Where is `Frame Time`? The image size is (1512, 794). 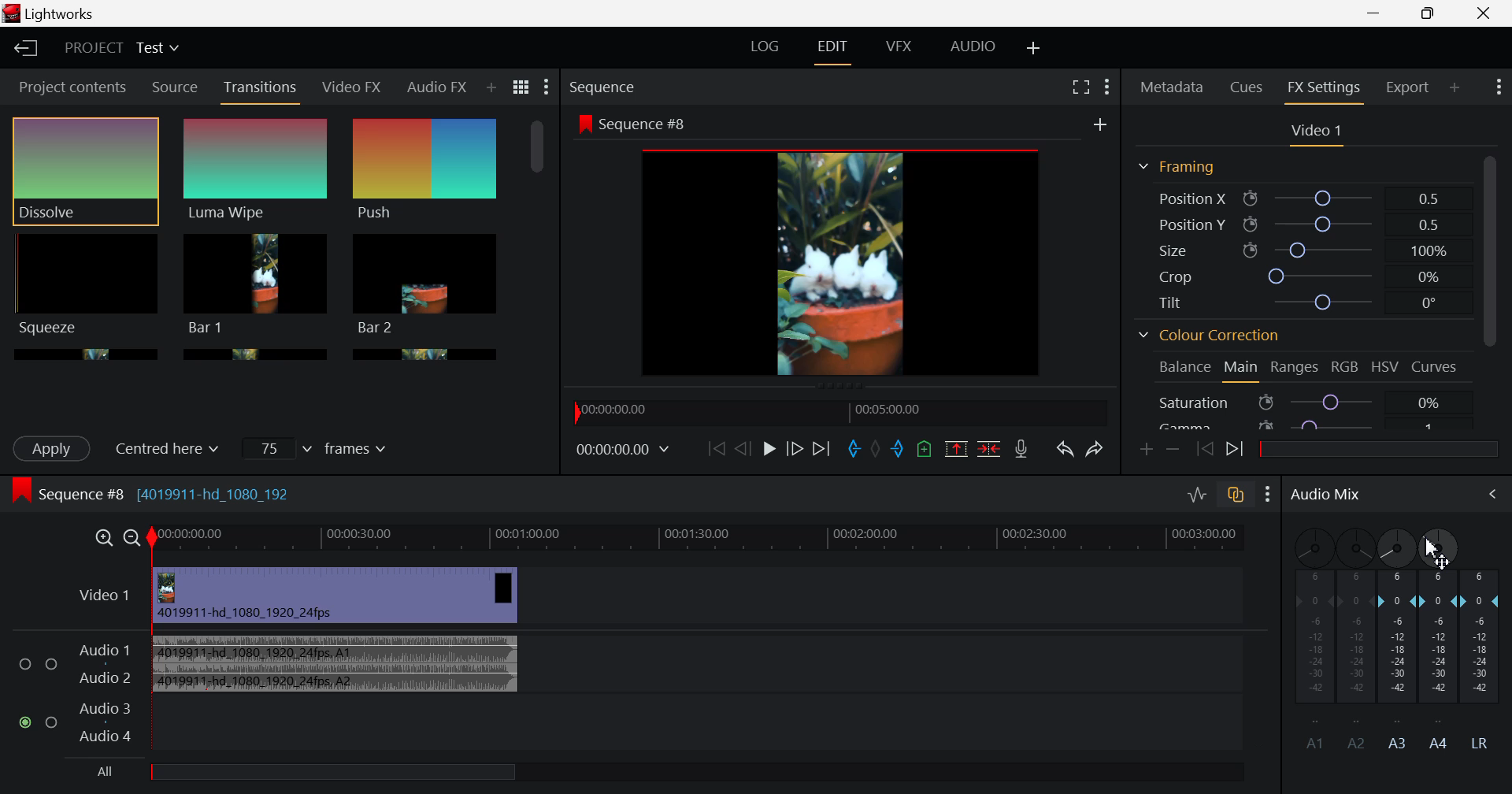
Frame Time is located at coordinates (622, 453).